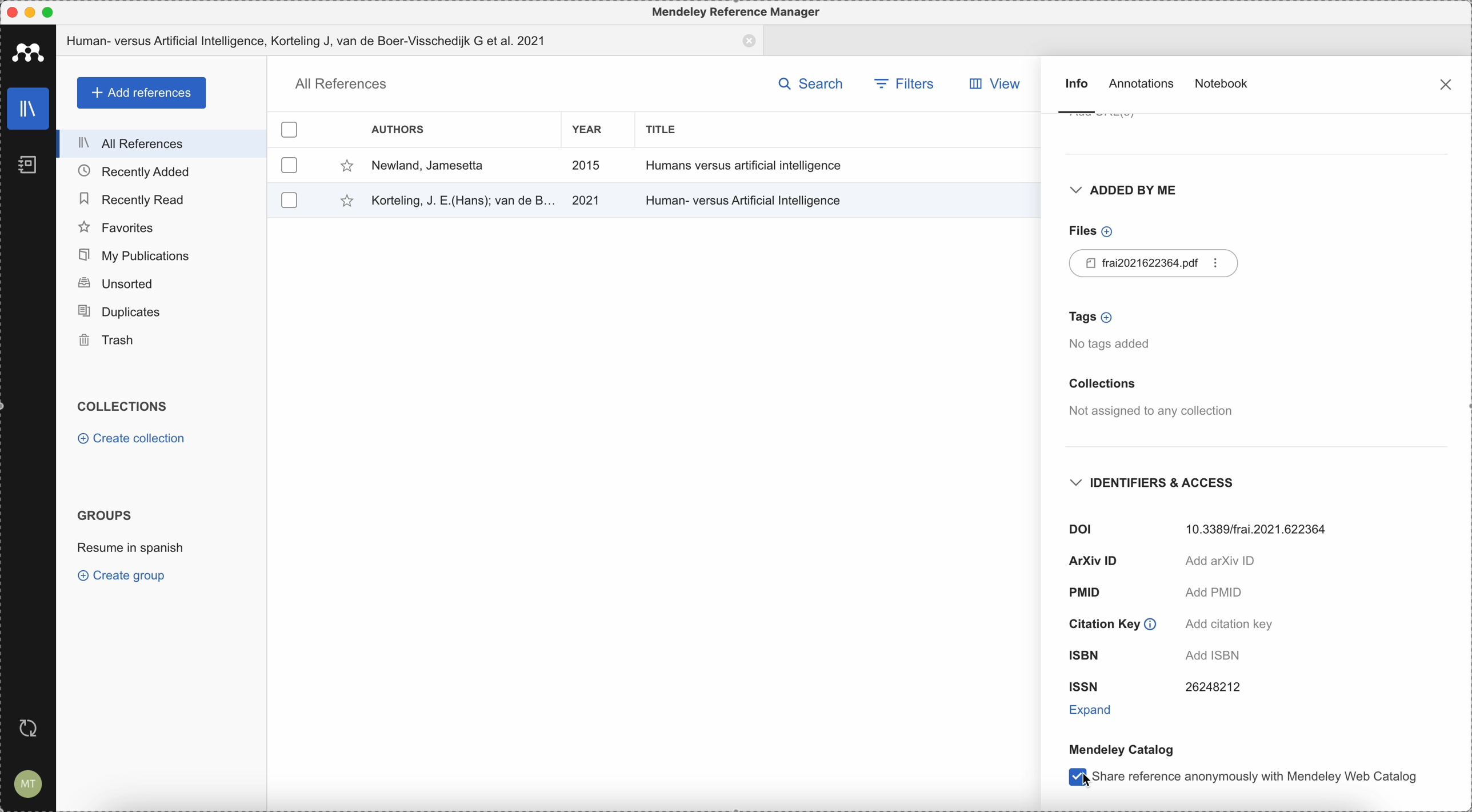  What do you see at coordinates (811, 82) in the screenshot?
I see `search` at bounding box center [811, 82].